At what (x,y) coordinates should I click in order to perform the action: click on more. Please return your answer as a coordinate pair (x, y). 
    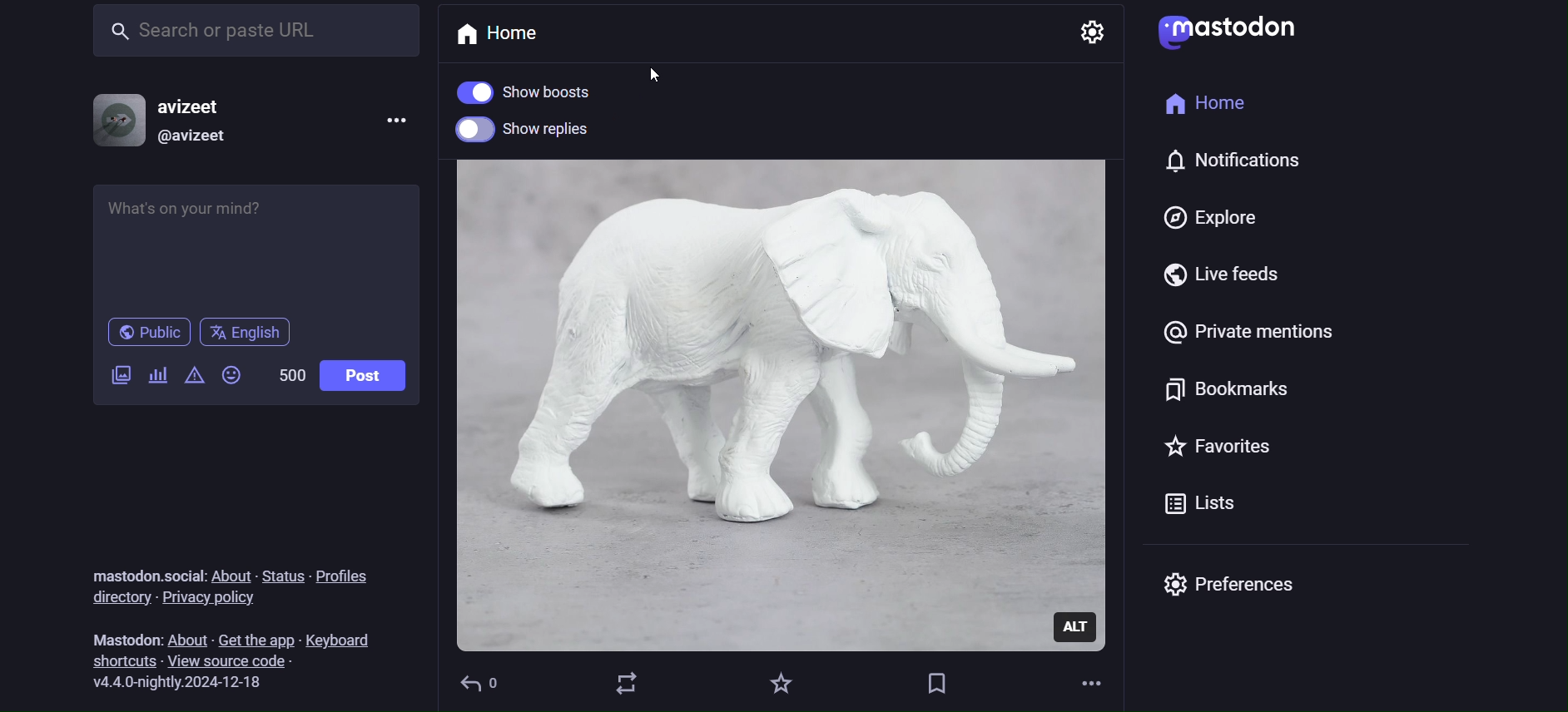
    Looking at the image, I should click on (1095, 684).